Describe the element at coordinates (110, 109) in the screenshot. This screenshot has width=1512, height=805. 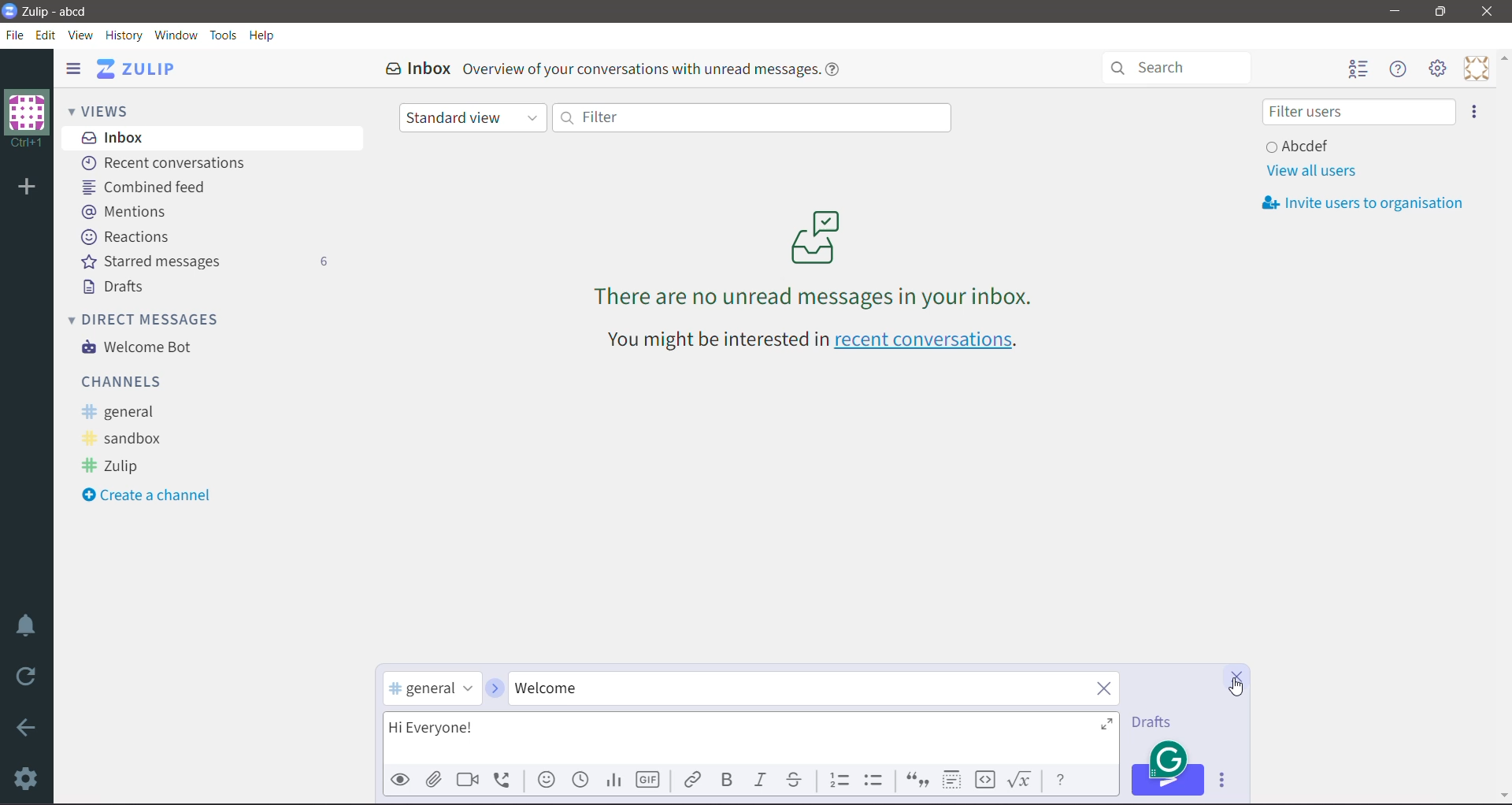
I see `Views` at that location.